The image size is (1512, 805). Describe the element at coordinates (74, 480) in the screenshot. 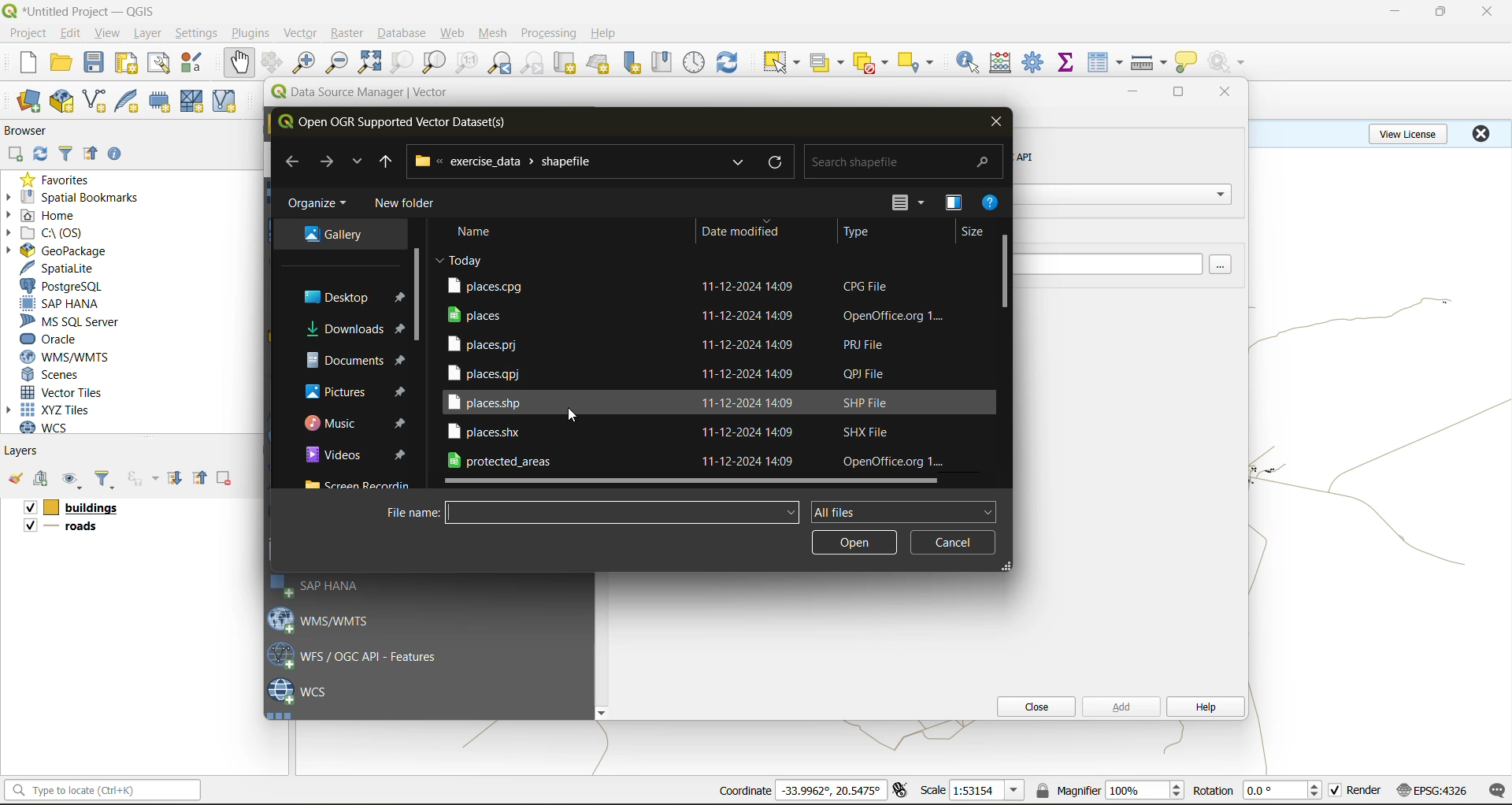

I see `manage map` at that location.